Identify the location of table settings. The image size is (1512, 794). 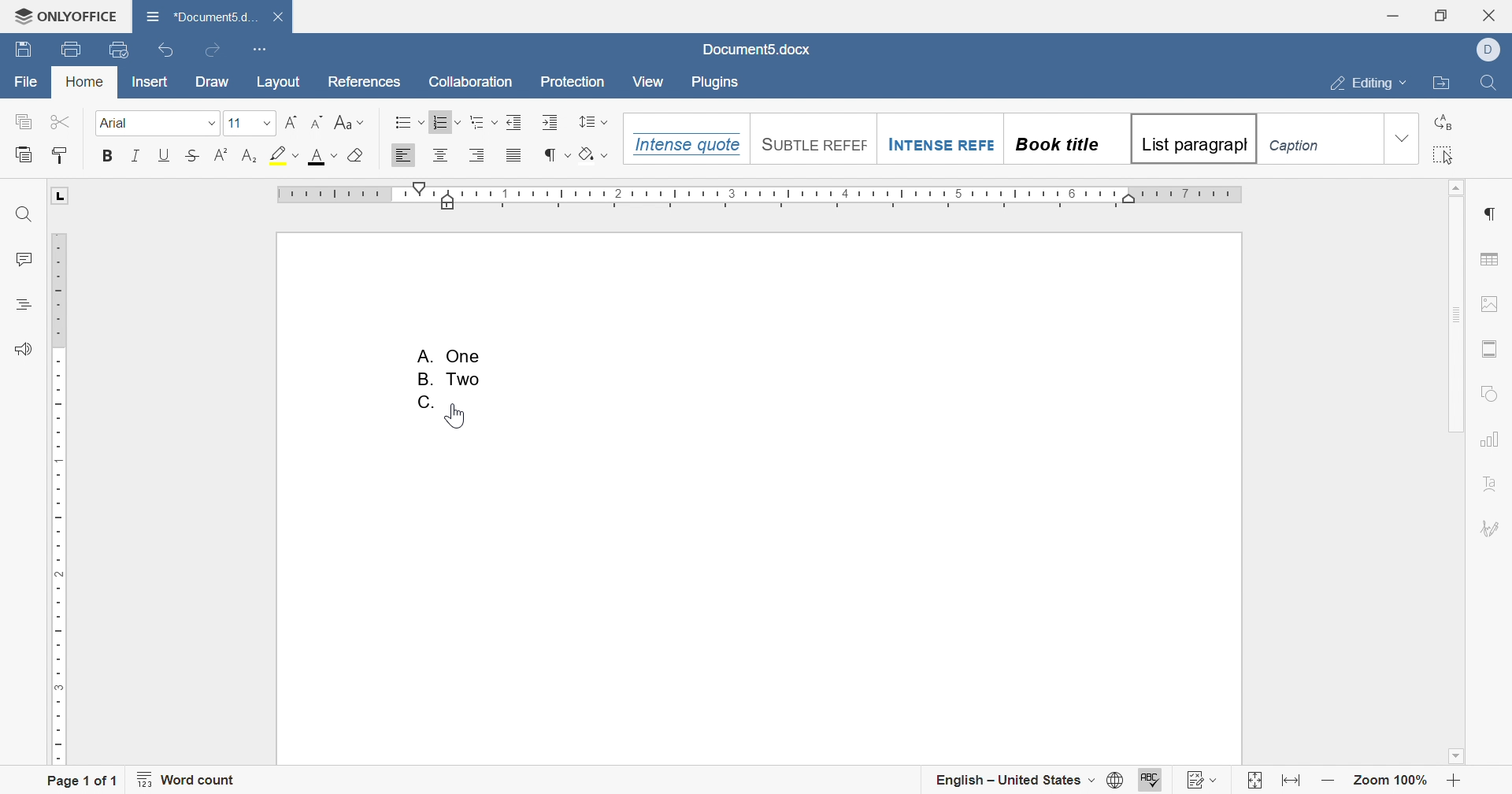
(1488, 259).